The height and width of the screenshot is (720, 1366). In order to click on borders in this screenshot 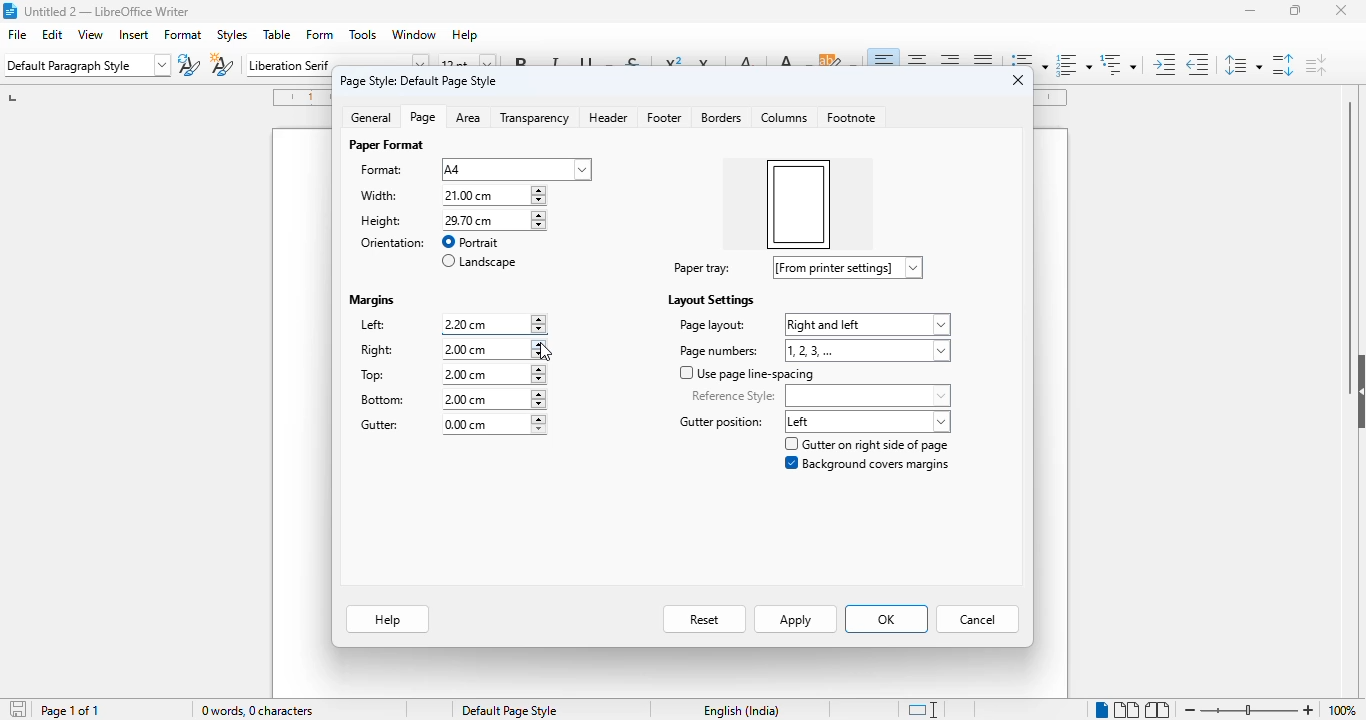, I will do `click(721, 117)`.